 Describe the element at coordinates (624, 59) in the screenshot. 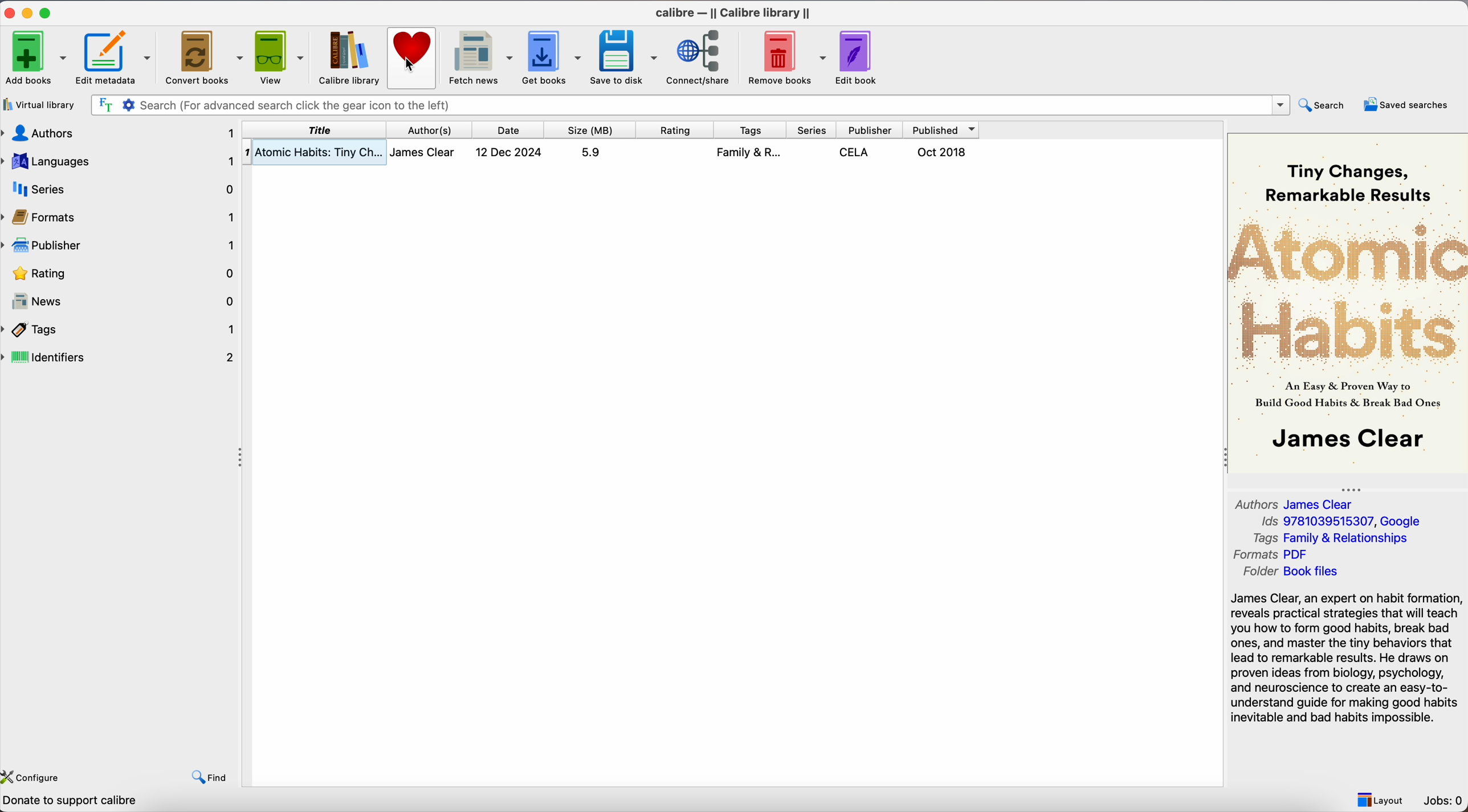

I see `save to disk` at that location.